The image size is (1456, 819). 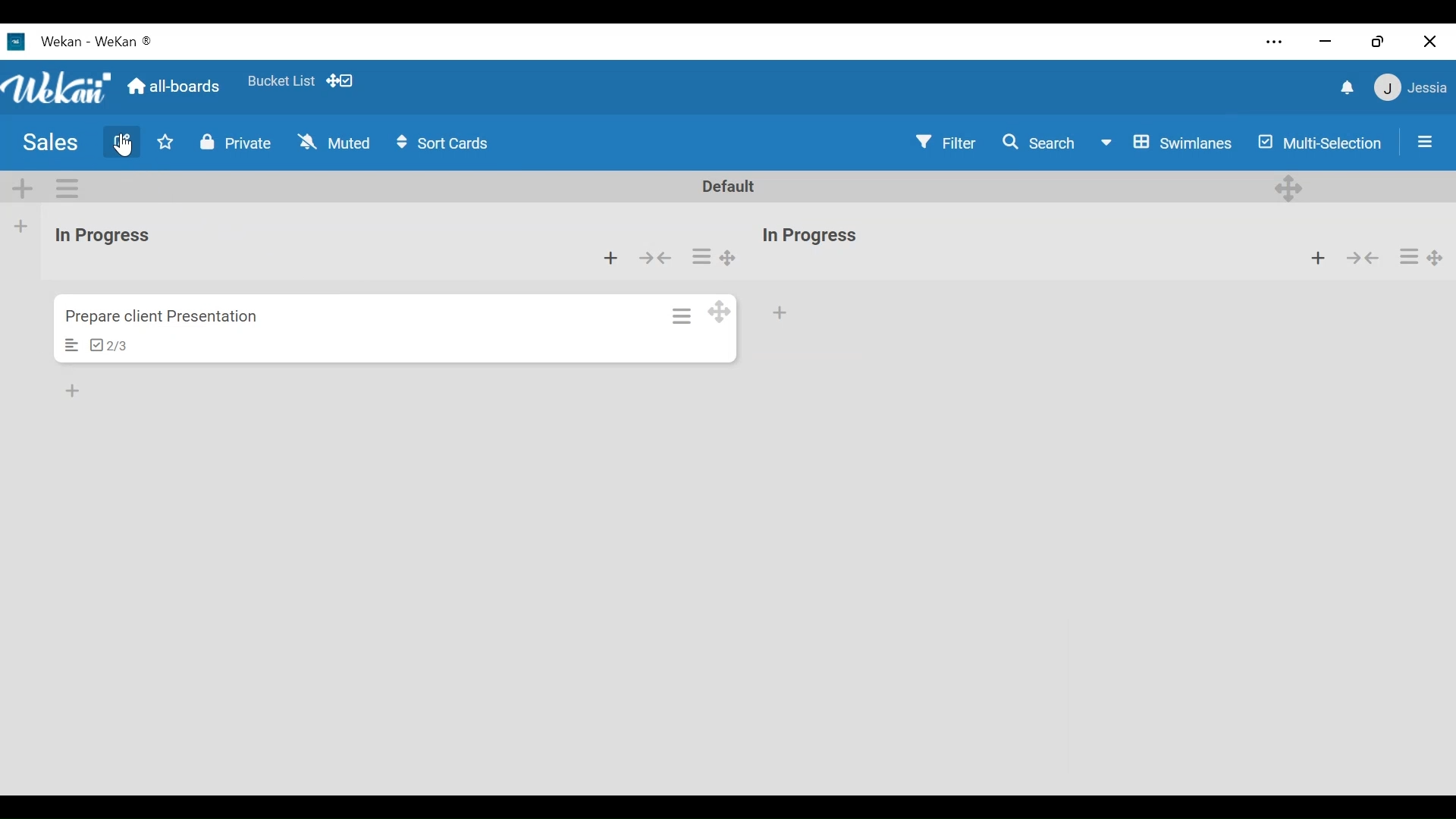 What do you see at coordinates (1326, 40) in the screenshot?
I see `minimize` at bounding box center [1326, 40].